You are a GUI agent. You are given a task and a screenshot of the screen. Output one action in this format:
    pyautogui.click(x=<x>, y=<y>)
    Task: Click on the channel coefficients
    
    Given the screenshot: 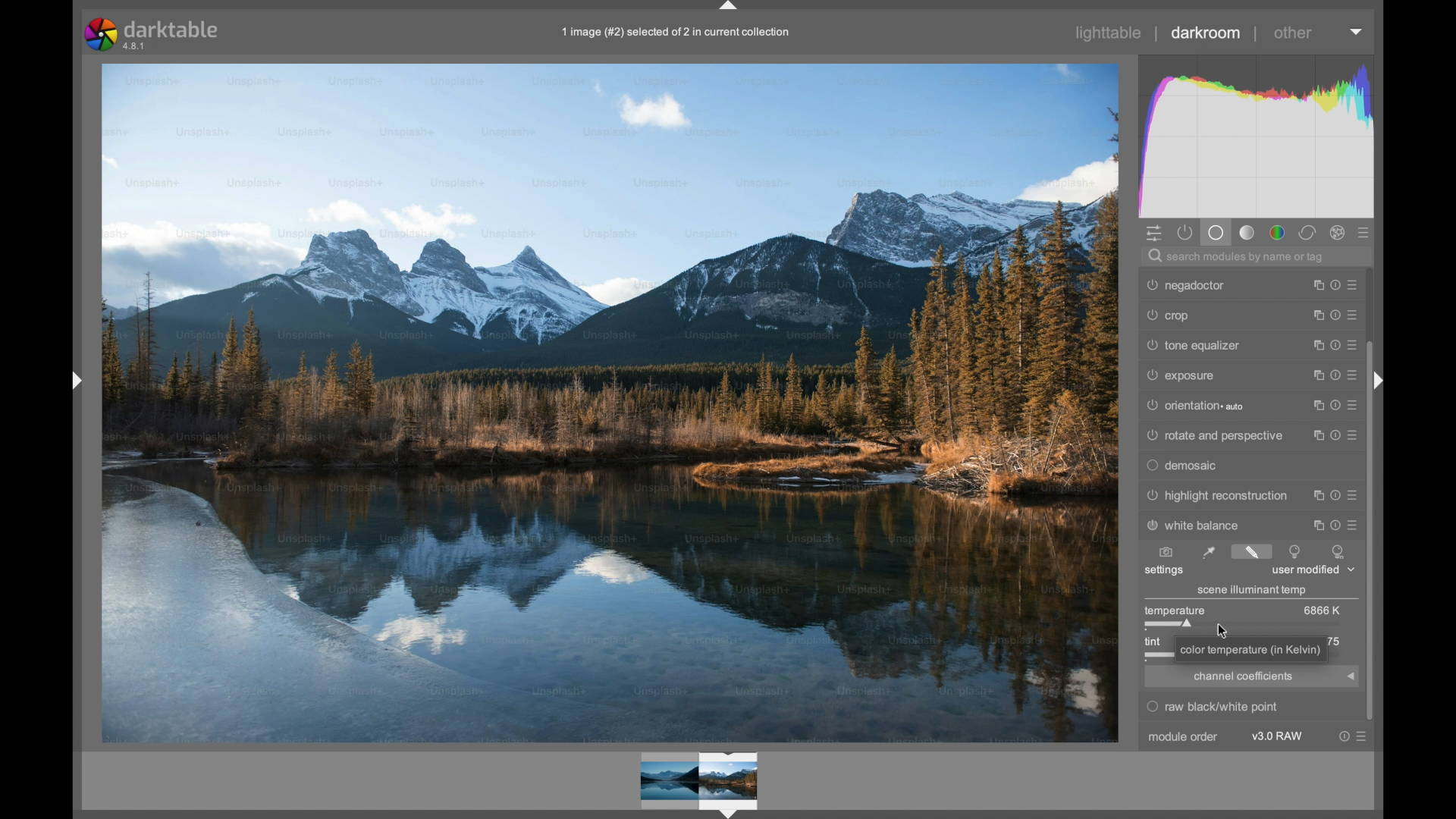 What is the action you would take?
    pyautogui.click(x=1244, y=676)
    